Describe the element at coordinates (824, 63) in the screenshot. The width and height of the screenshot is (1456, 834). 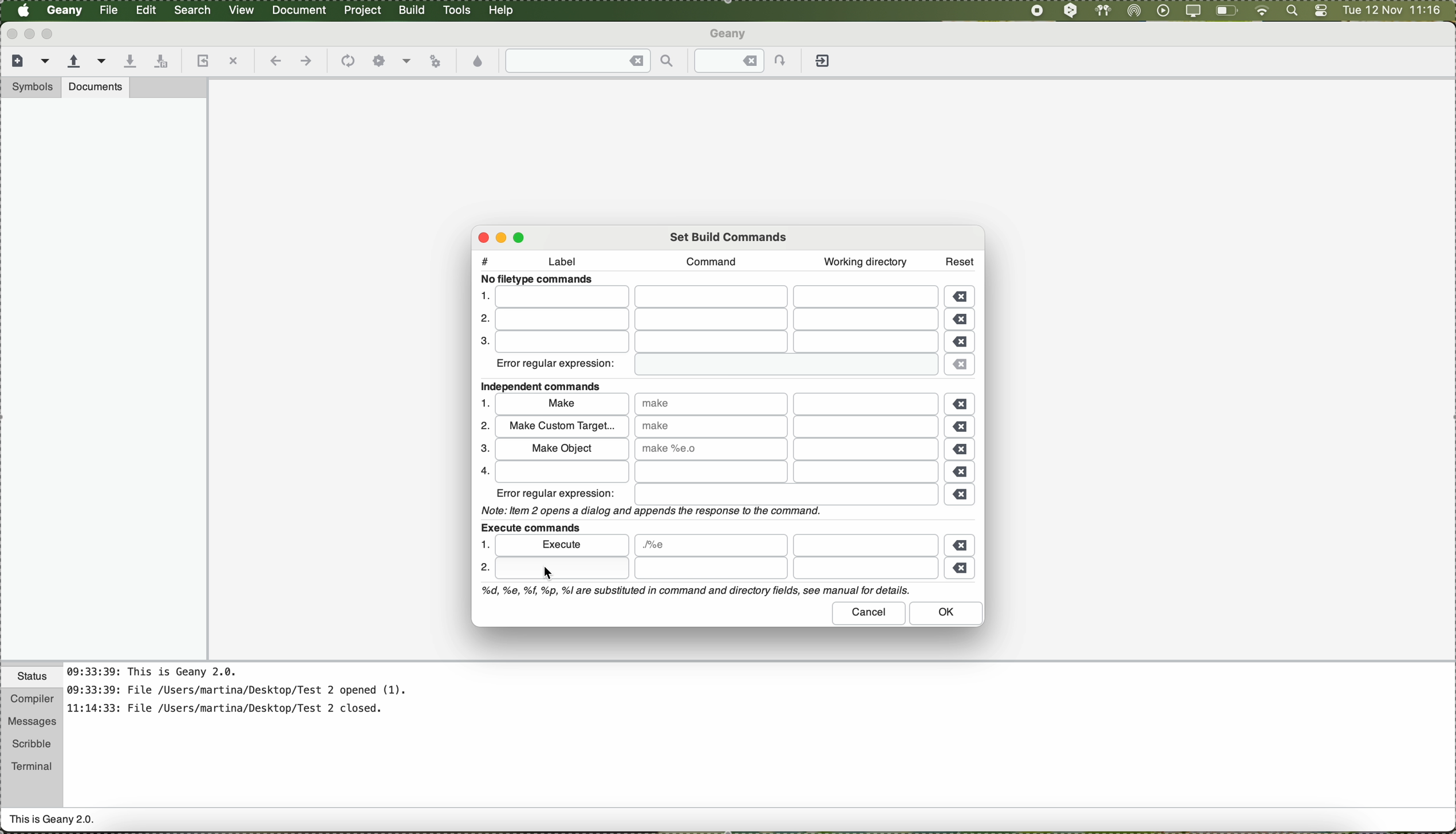
I see `quit Geany` at that location.